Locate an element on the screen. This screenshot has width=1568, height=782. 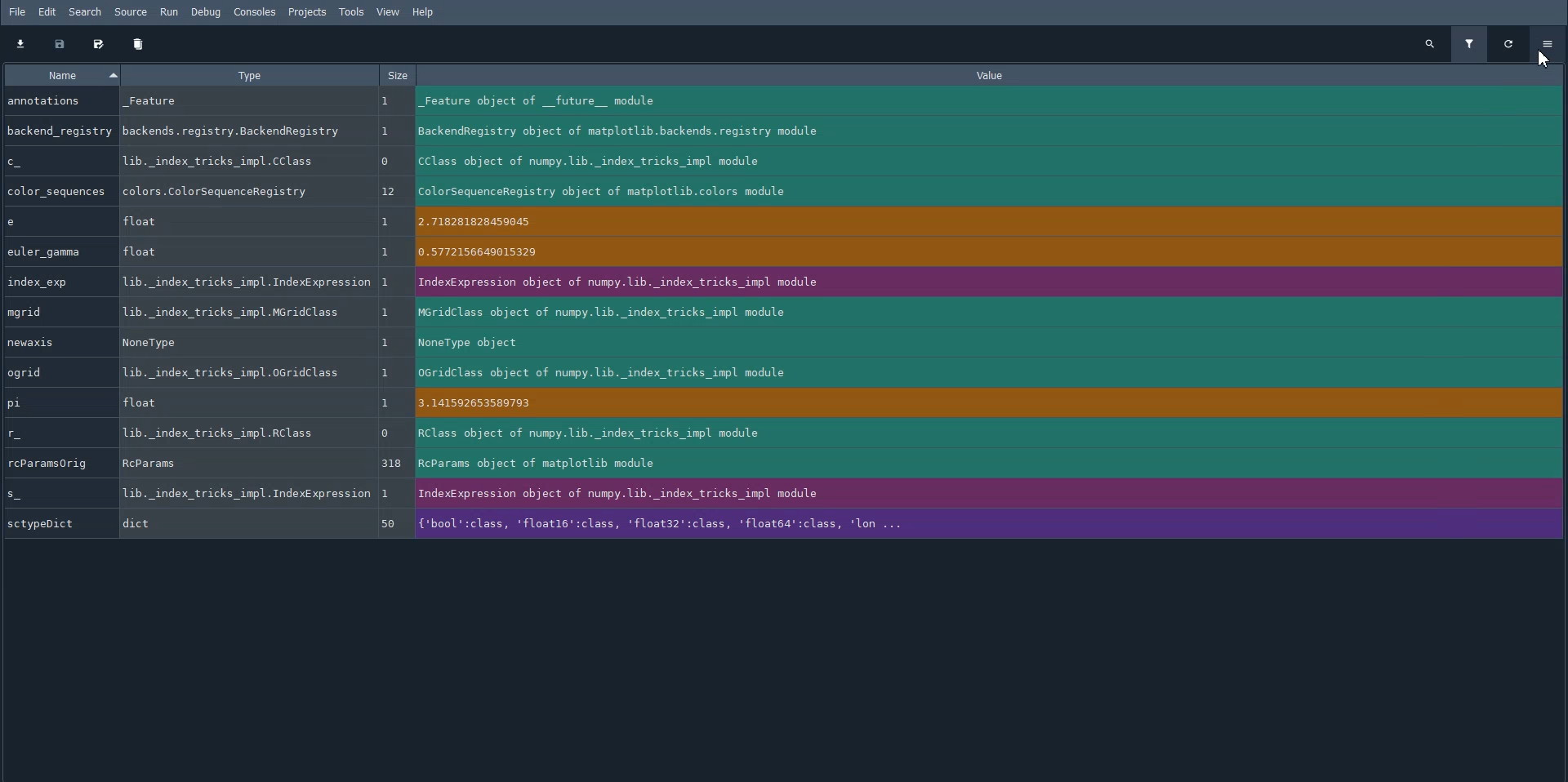
type value is located at coordinates (234, 105).